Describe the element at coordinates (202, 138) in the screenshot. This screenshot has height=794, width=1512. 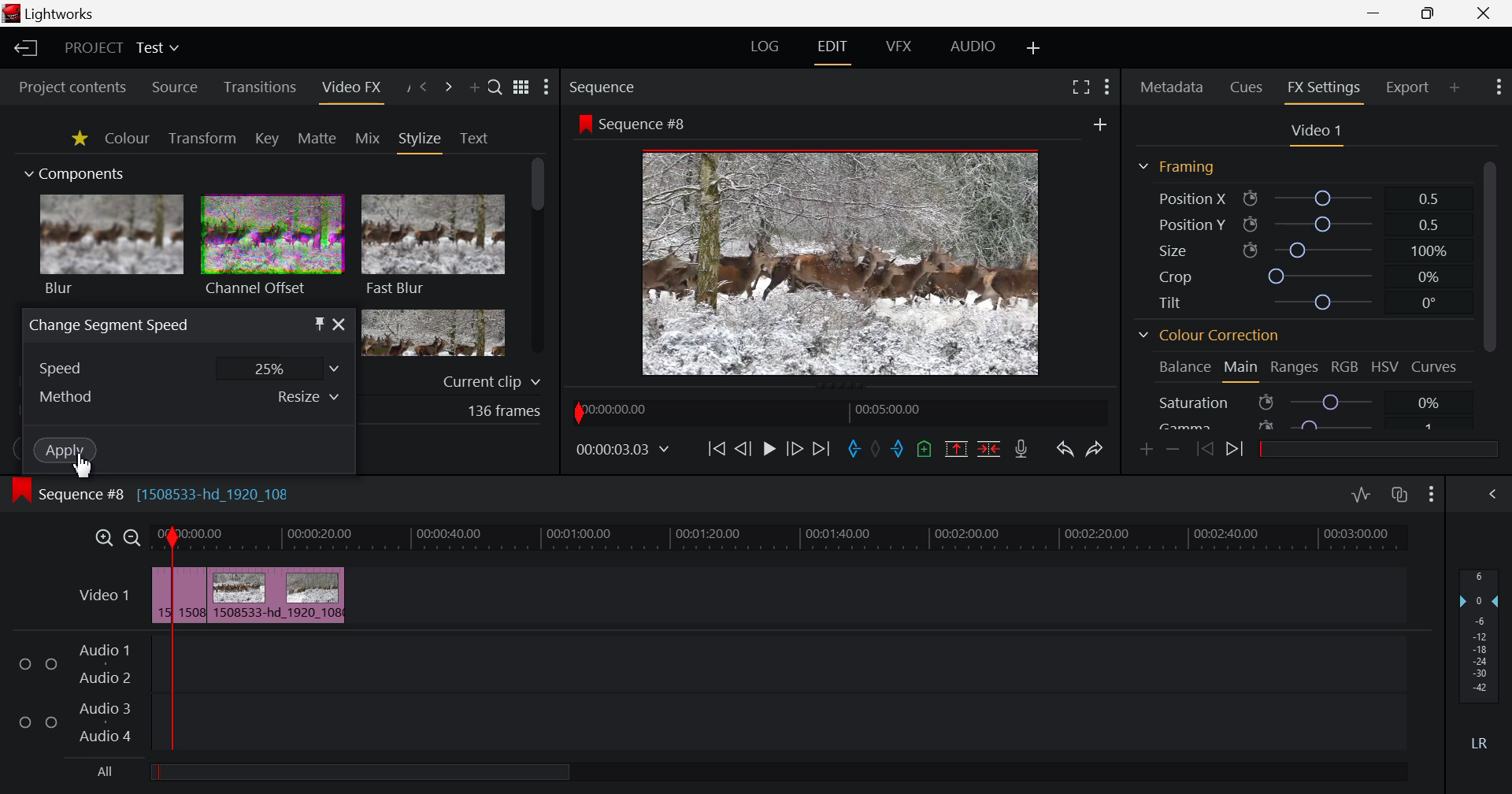
I see `Transform` at that location.